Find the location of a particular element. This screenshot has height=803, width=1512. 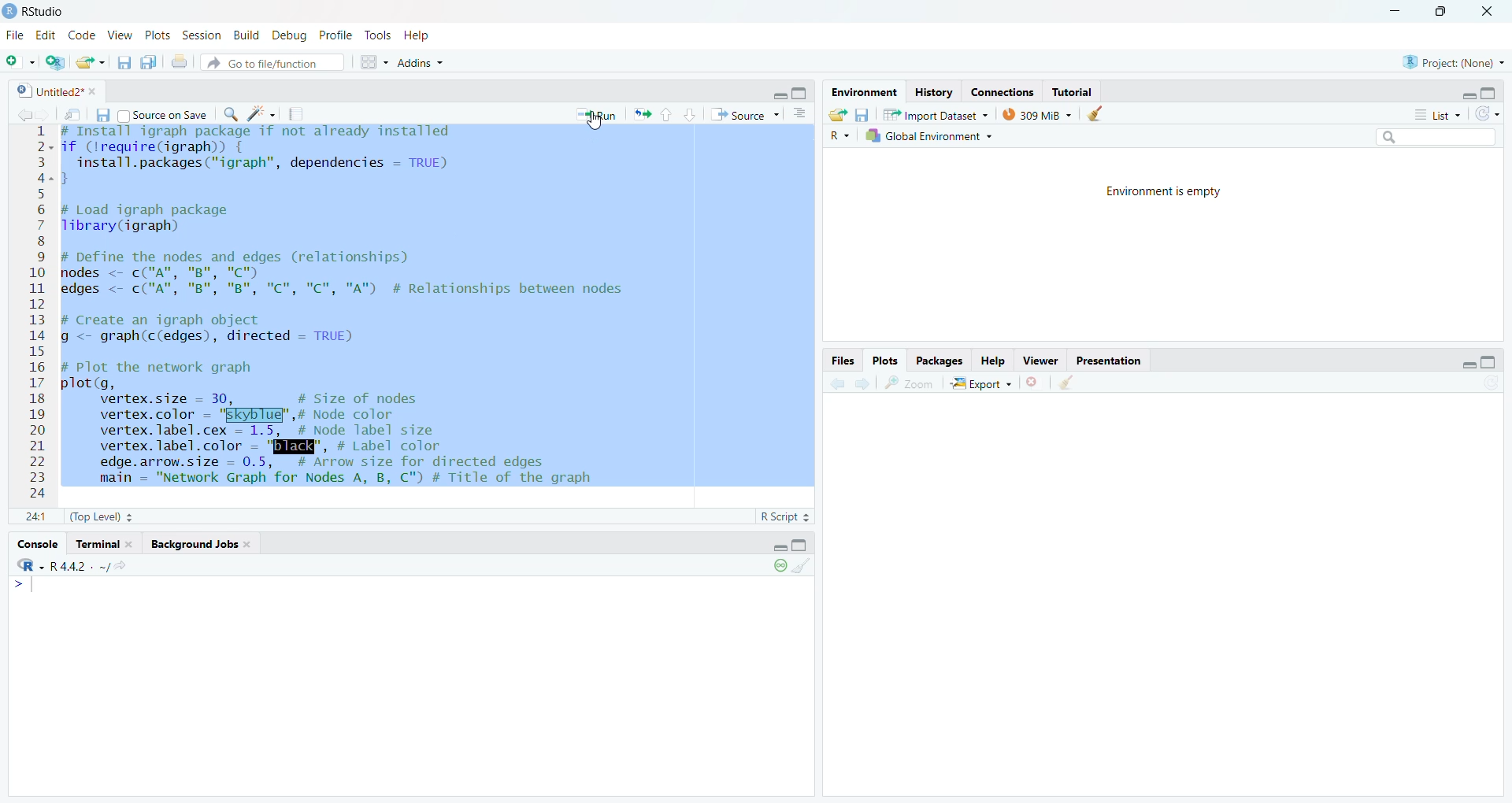

Tutorial is located at coordinates (1077, 90).